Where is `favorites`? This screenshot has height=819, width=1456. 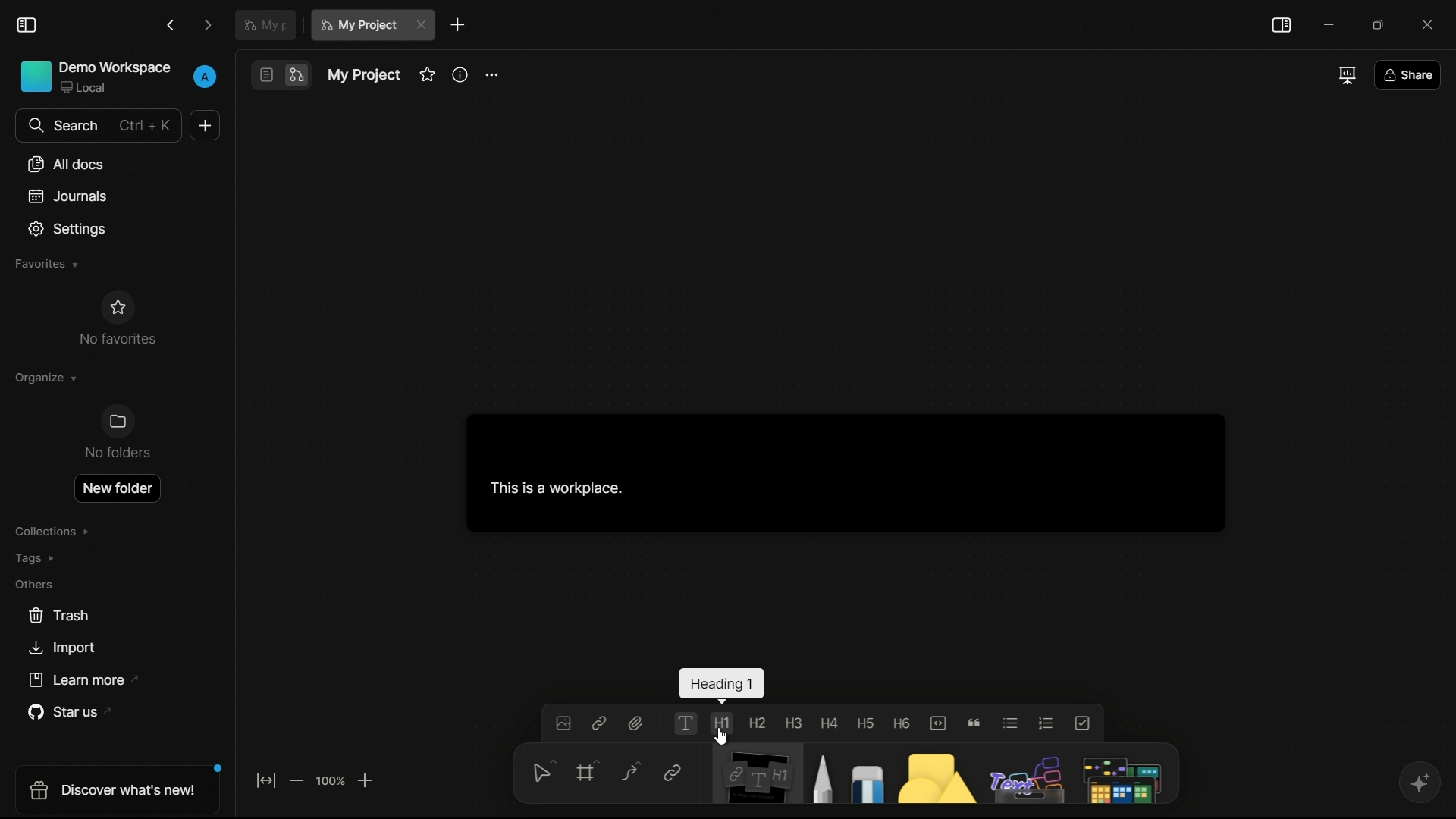
favorites is located at coordinates (46, 265).